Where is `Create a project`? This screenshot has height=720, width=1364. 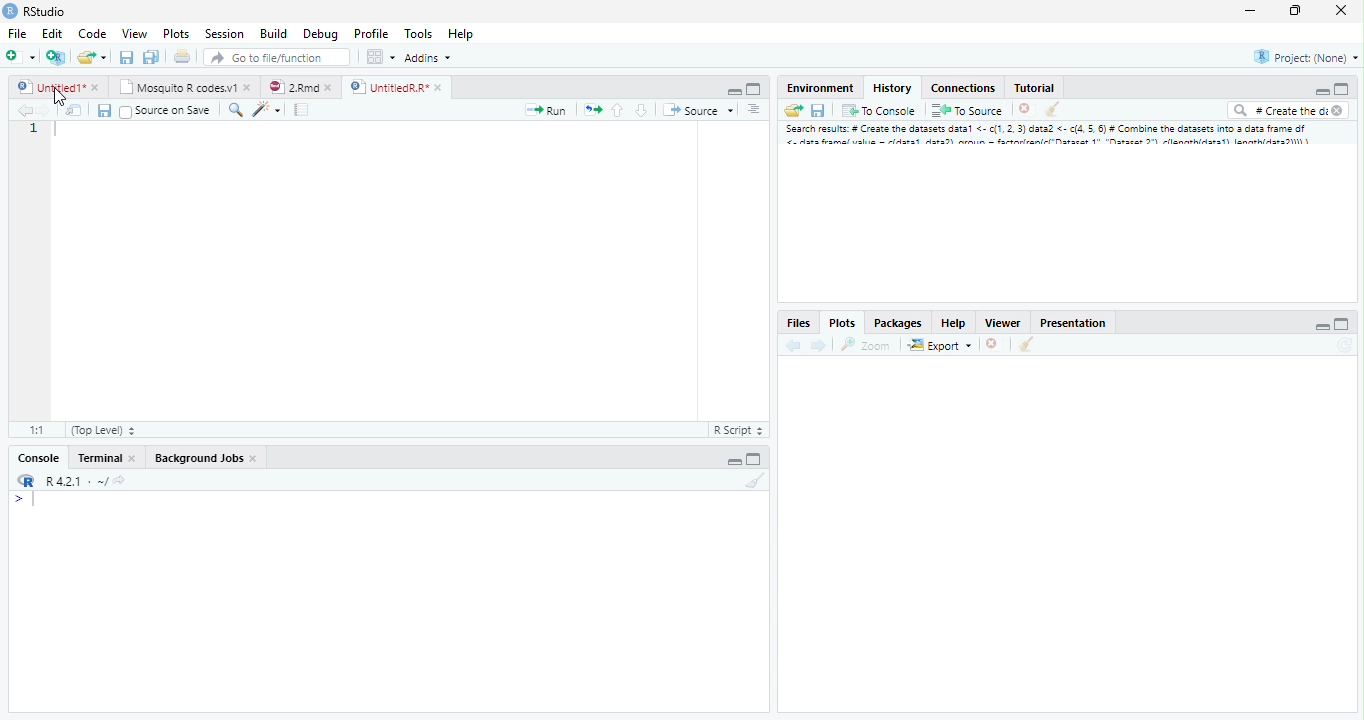 Create a project is located at coordinates (56, 55).